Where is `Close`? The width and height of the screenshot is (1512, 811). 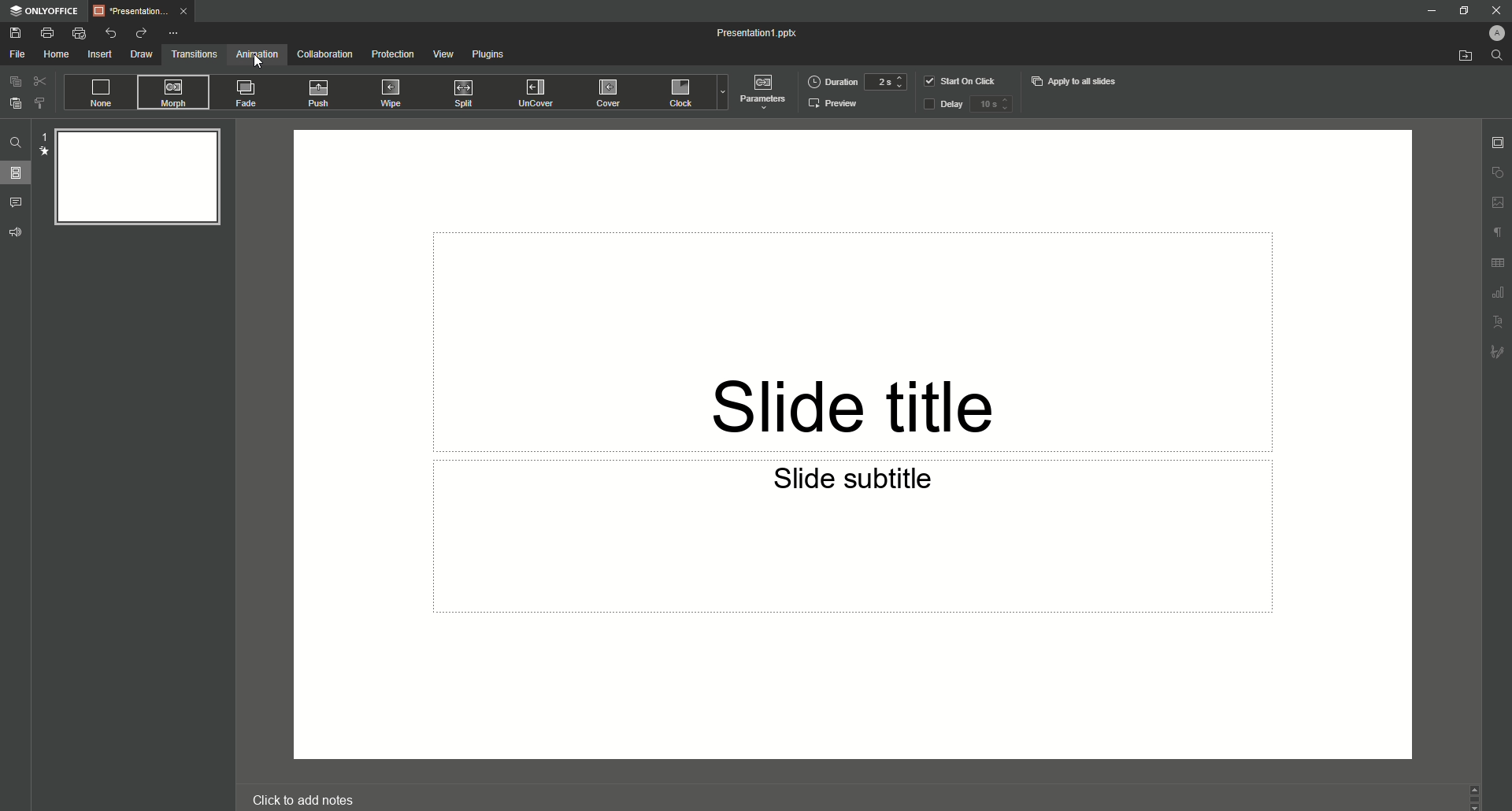
Close is located at coordinates (1496, 10).